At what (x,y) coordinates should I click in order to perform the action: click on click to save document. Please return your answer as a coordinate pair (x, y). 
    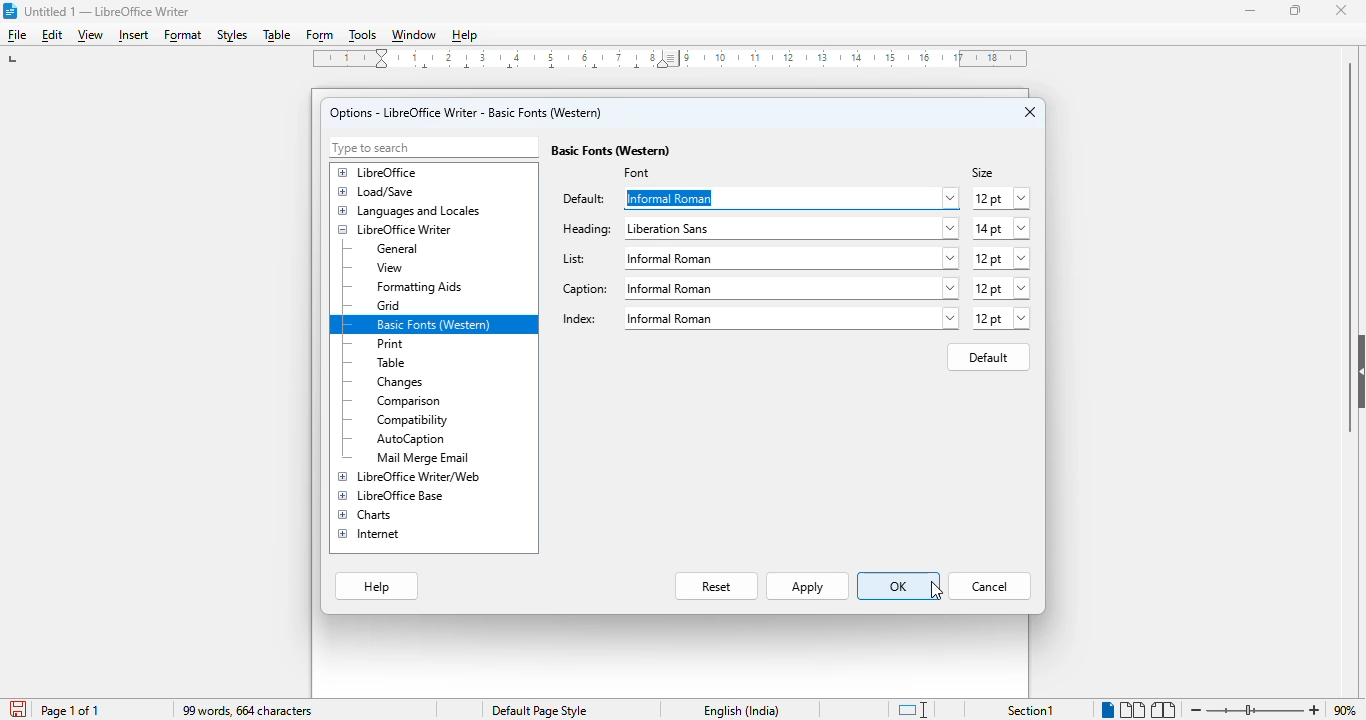
    Looking at the image, I should click on (19, 708).